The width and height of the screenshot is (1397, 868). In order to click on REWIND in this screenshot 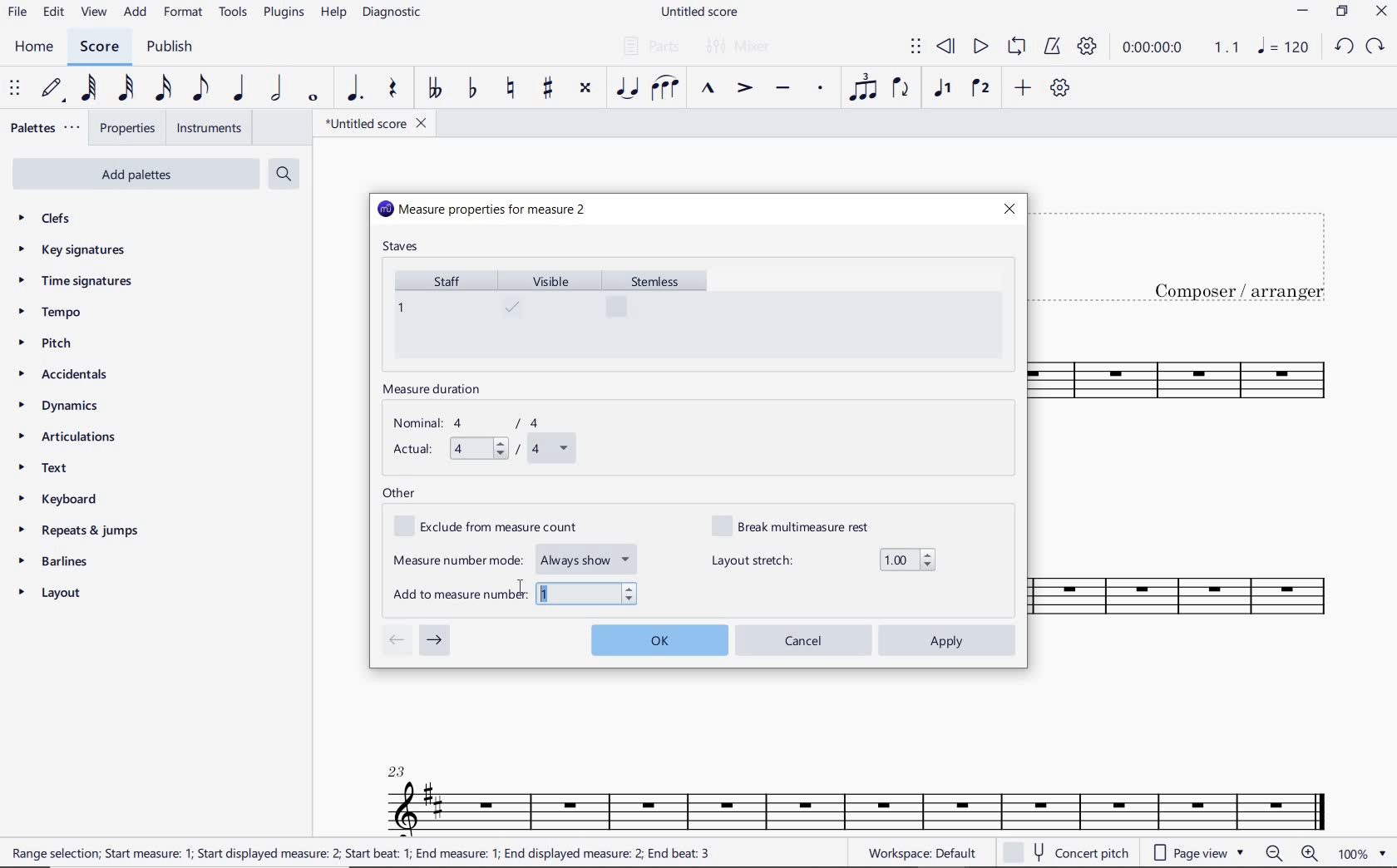, I will do `click(946, 47)`.